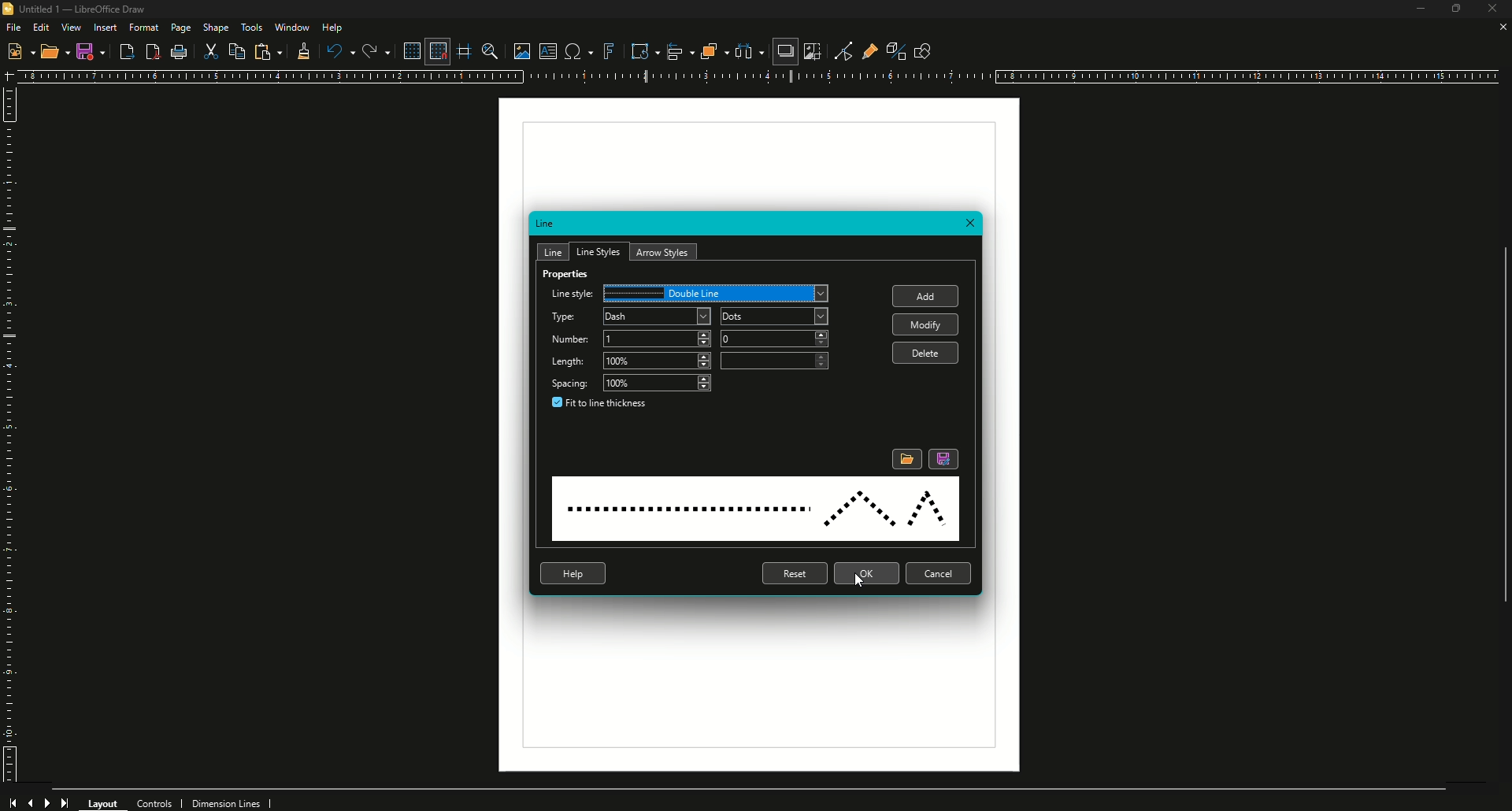 This screenshot has height=811, width=1512. What do you see at coordinates (922, 50) in the screenshot?
I see `Show Draw Function` at bounding box center [922, 50].